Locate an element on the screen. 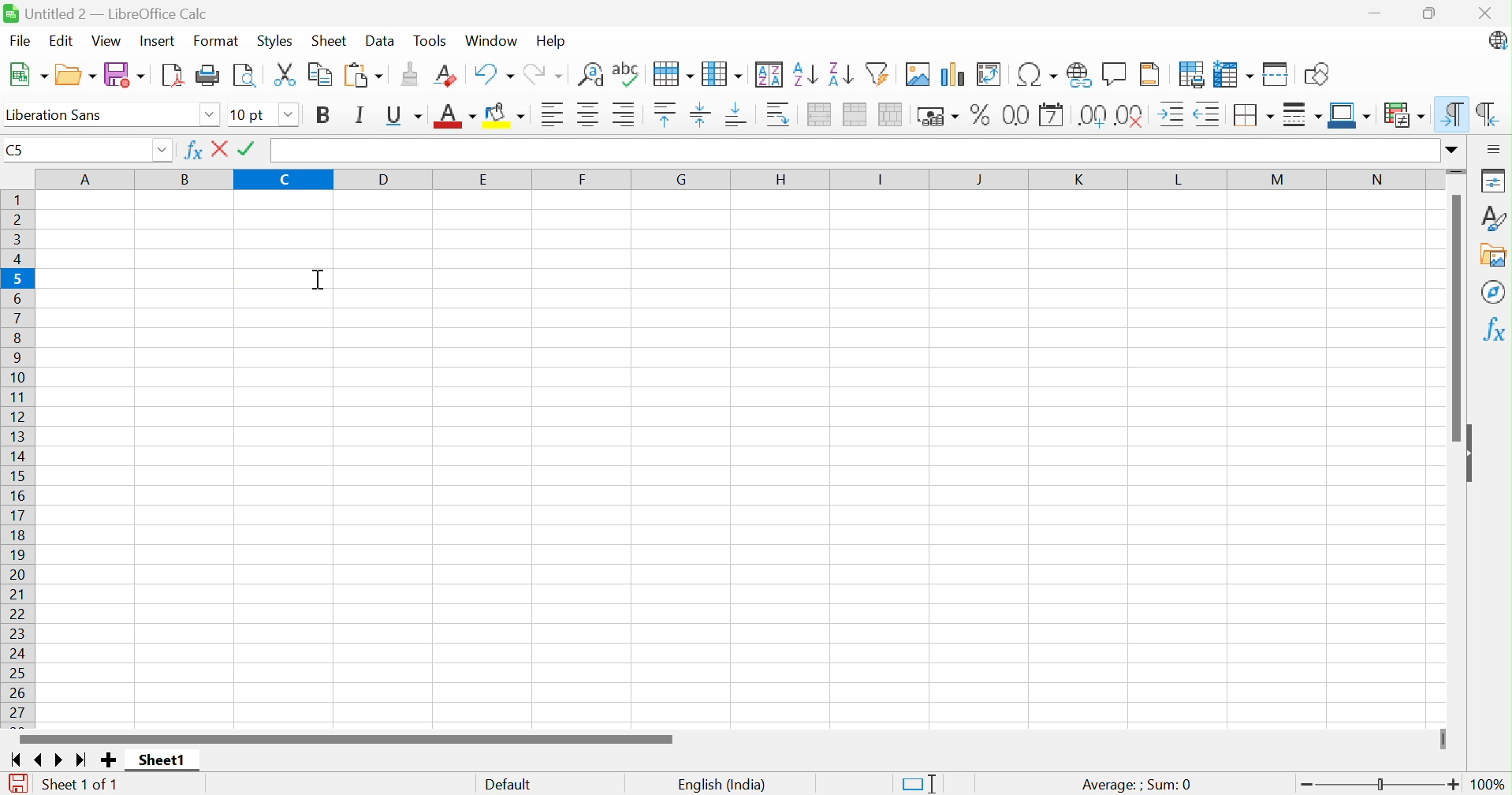 This screenshot has height=795, width=1512. Underline is located at coordinates (407, 117).